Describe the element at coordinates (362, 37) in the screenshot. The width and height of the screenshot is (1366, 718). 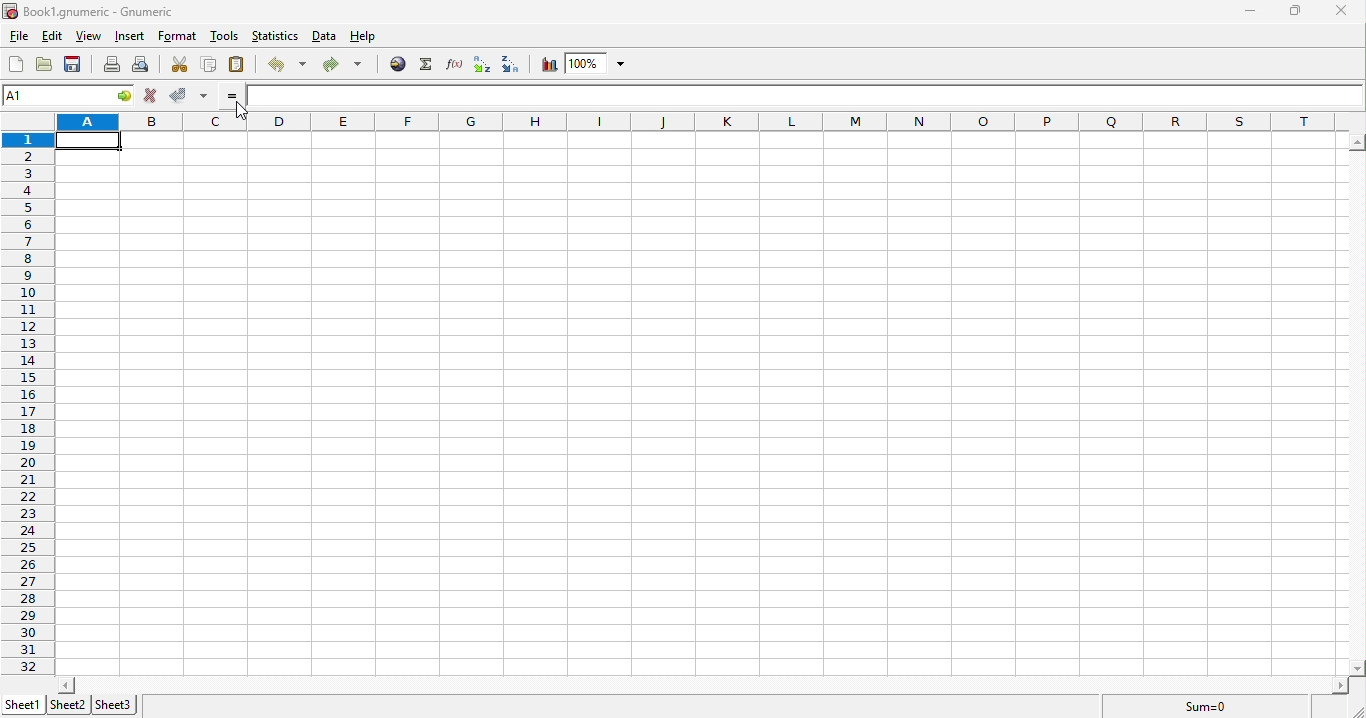
I see `help` at that location.